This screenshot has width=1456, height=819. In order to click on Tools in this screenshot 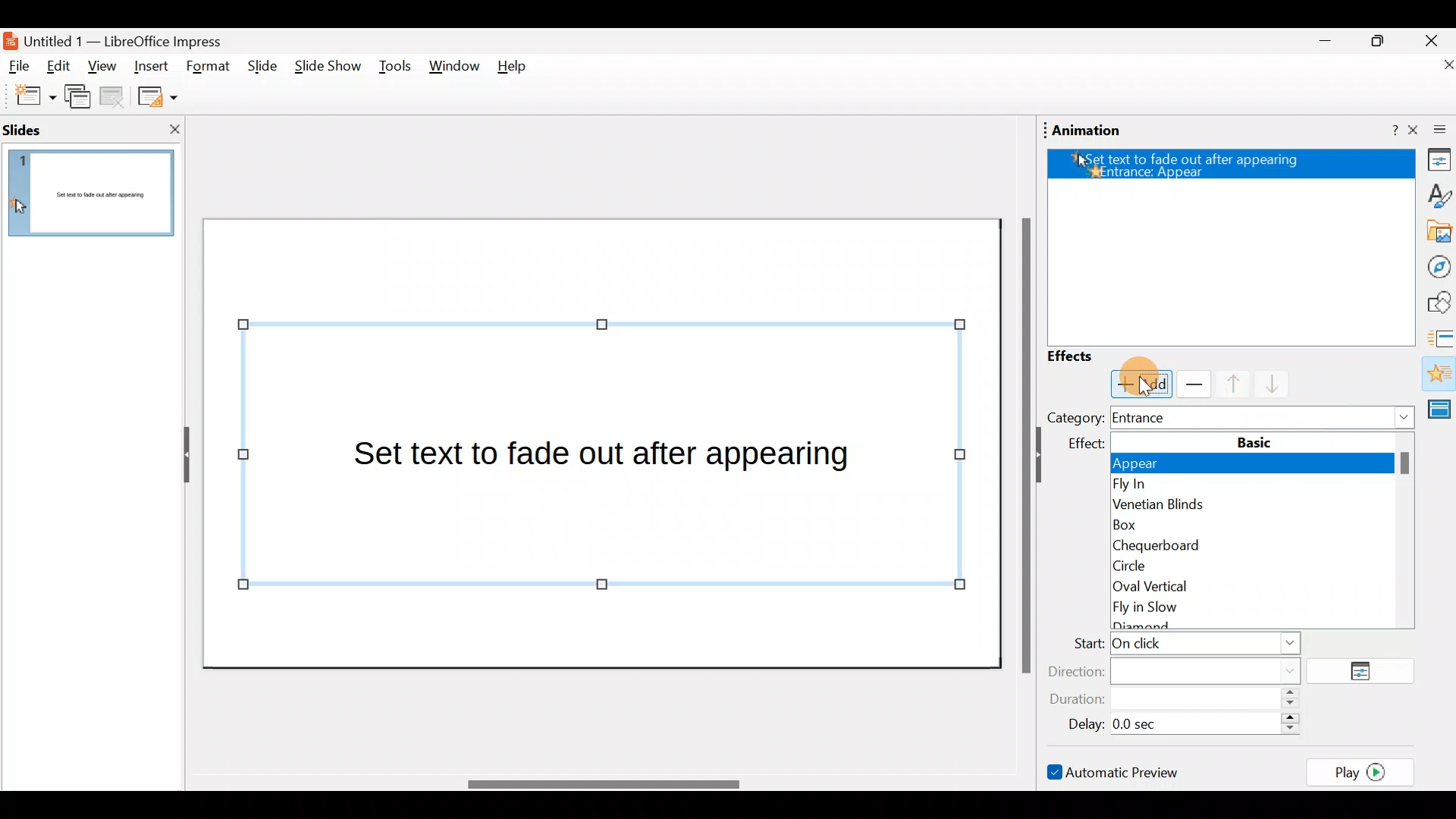, I will do `click(395, 69)`.